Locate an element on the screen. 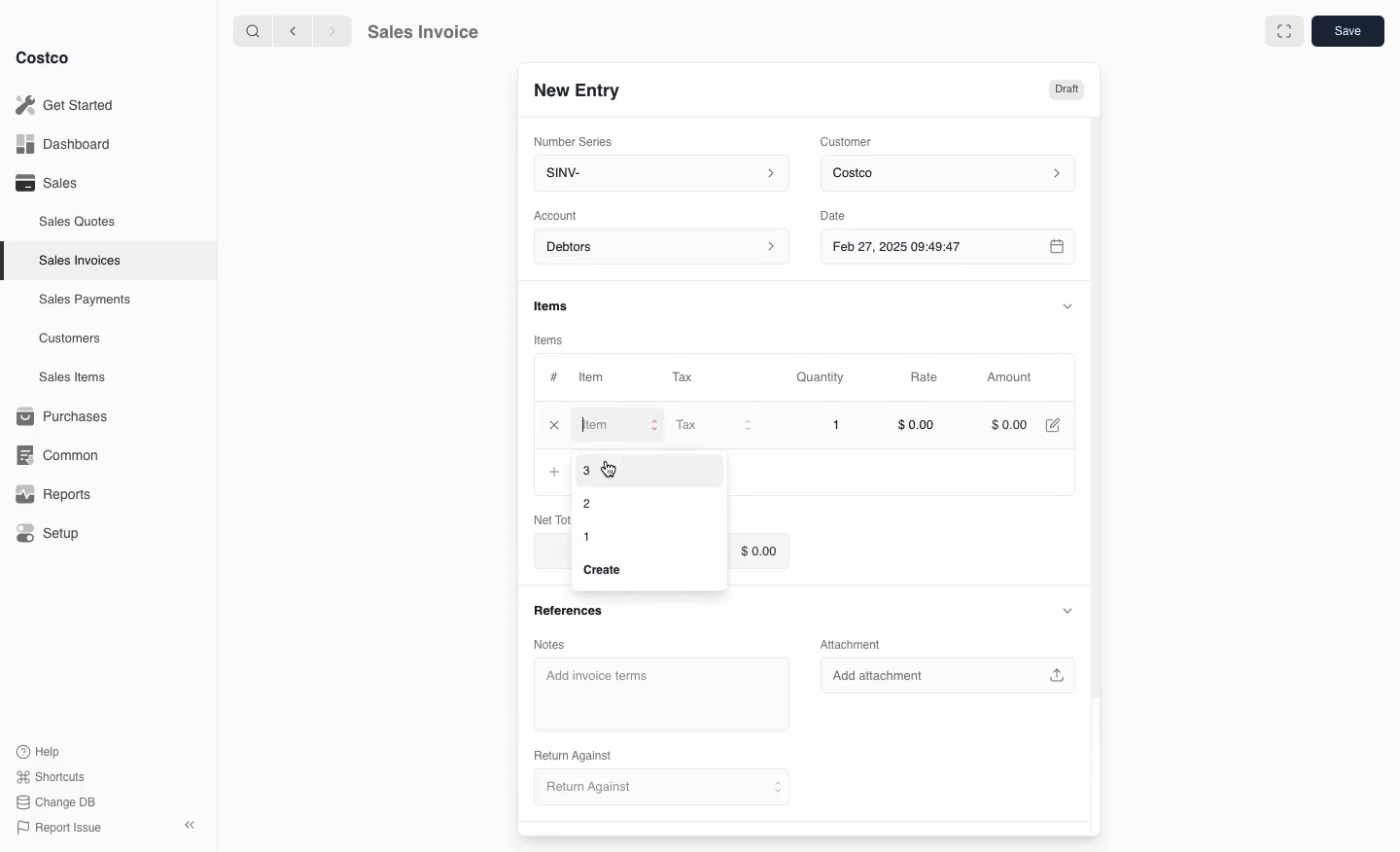 Image resolution: width=1400 pixels, height=852 pixels. Hide is located at coordinates (1067, 303).